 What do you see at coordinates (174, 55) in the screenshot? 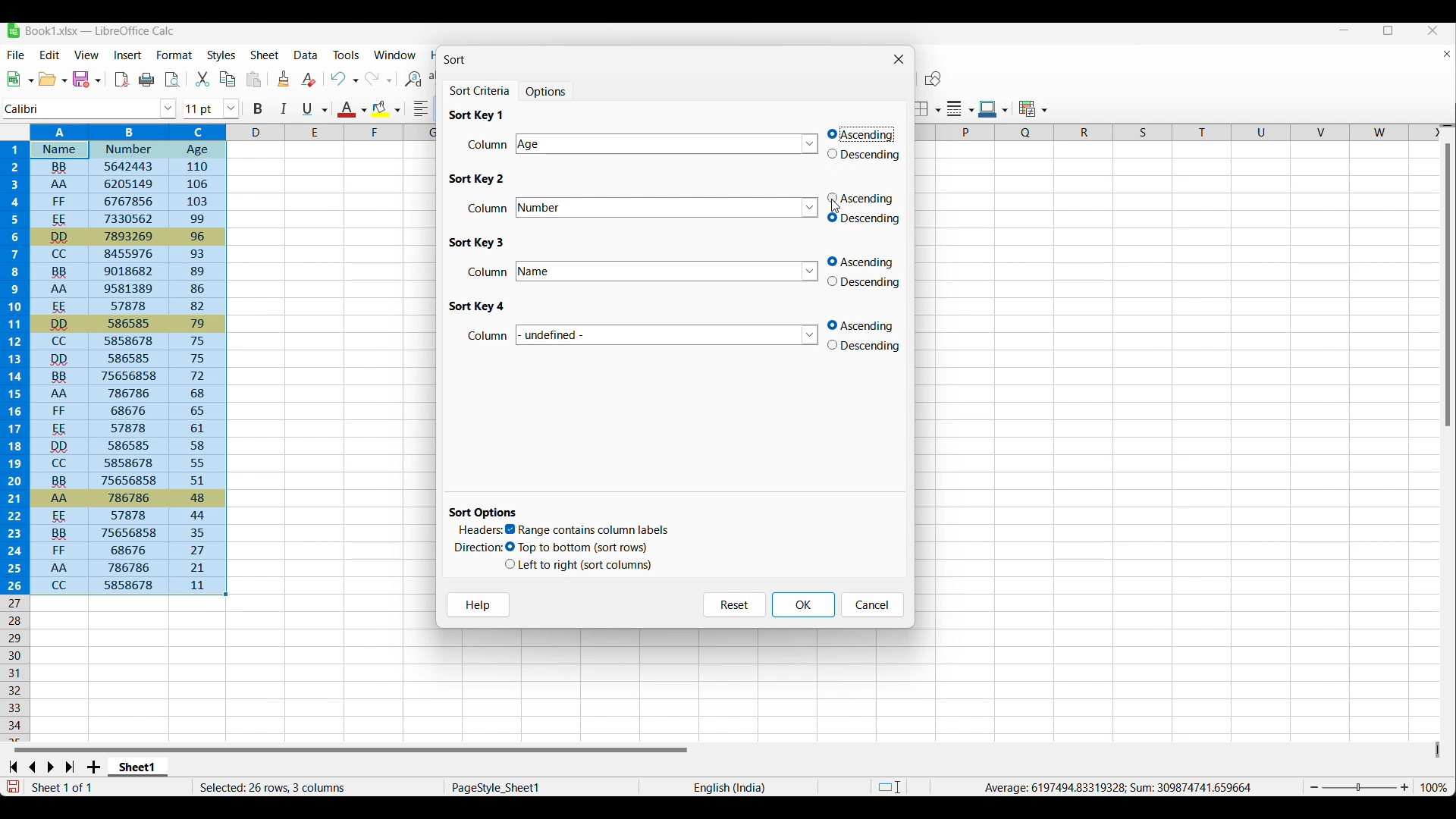
I see `Format menu` at bounding box center [174, 55].